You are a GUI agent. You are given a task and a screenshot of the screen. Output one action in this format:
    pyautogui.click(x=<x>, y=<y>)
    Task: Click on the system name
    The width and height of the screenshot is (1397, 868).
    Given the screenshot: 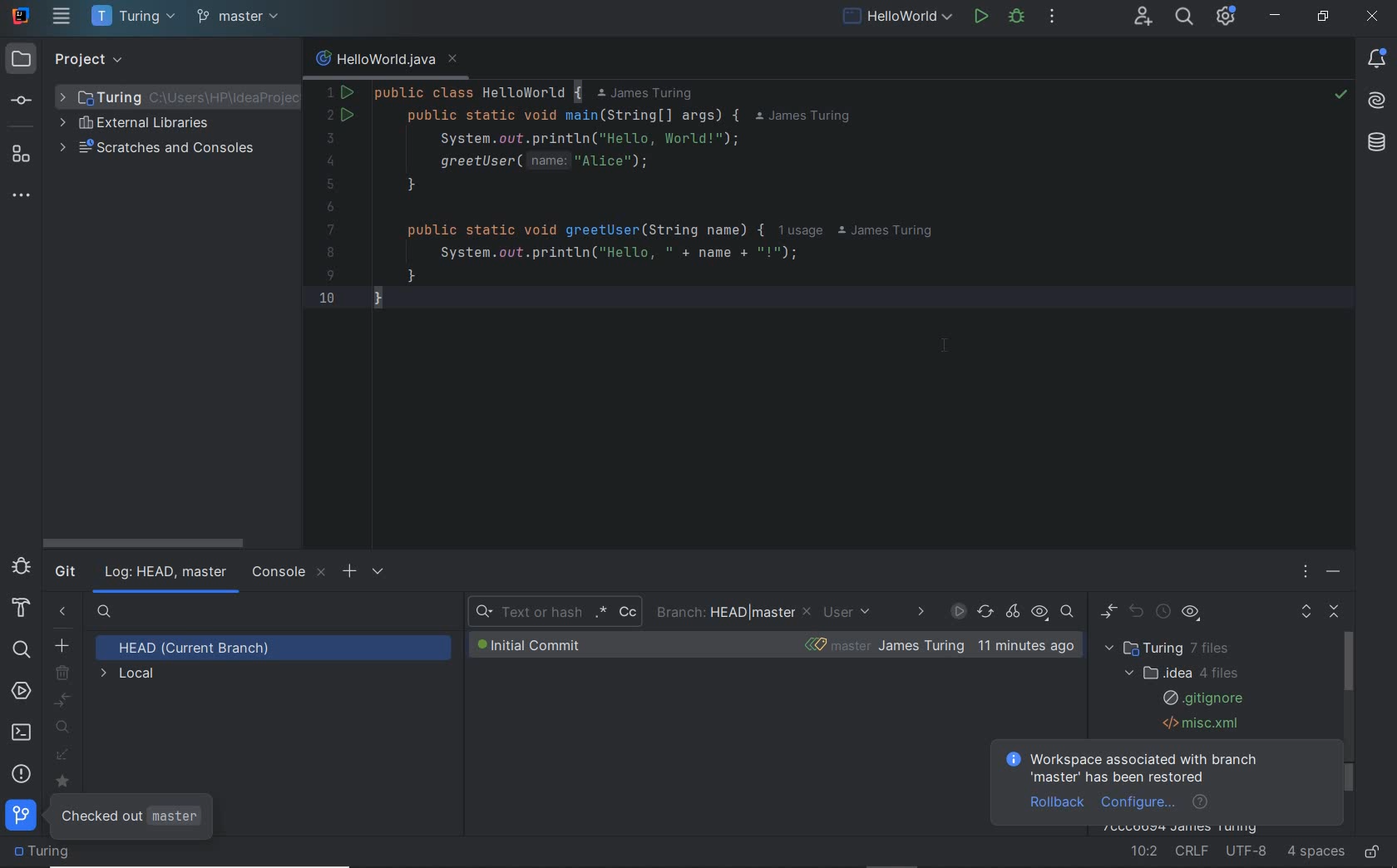 What is the action you would take?
    pyautogui.click(x=22, y=14)
    